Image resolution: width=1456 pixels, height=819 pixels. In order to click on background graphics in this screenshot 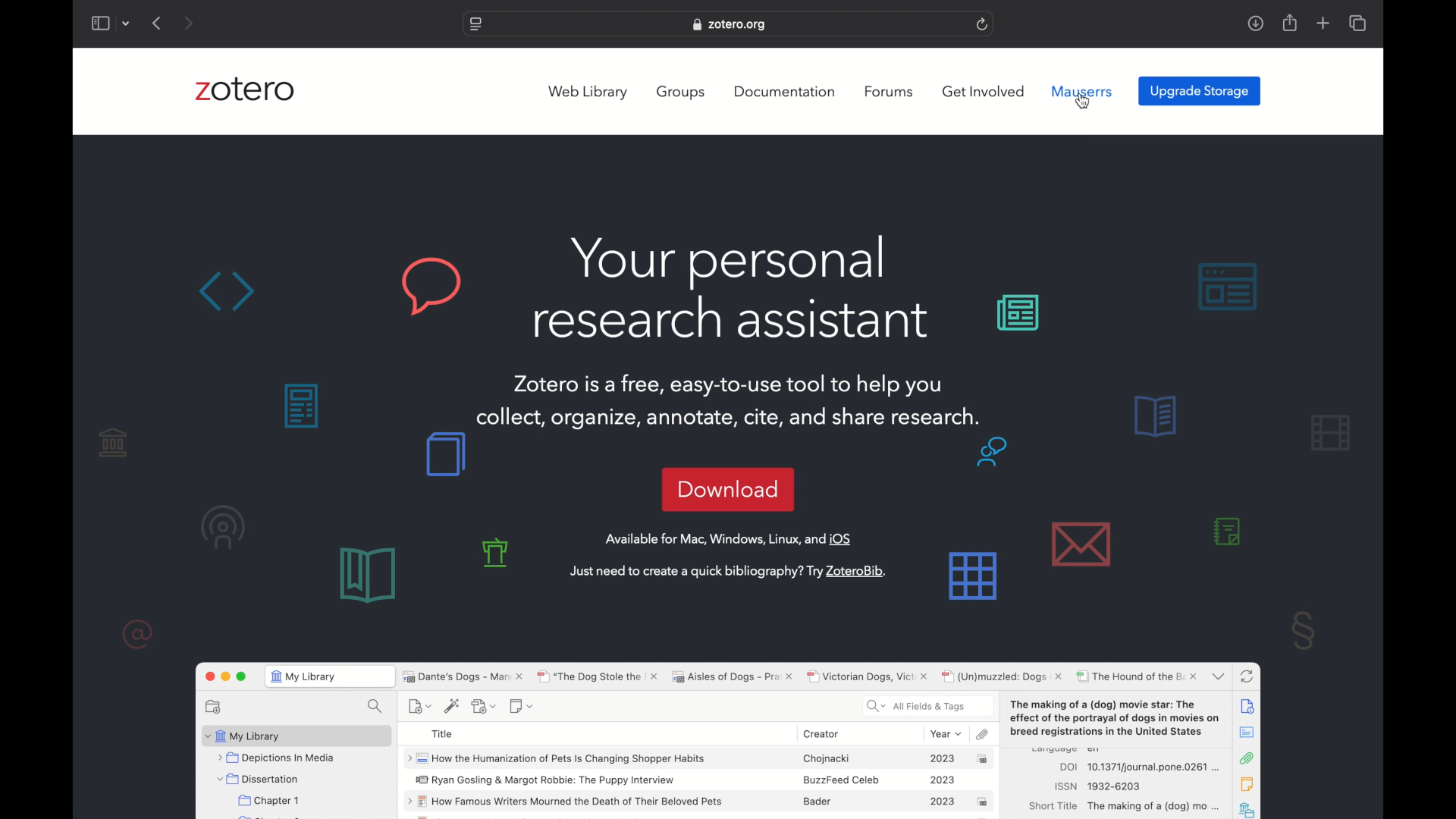, I will do `click(444, 455)`.